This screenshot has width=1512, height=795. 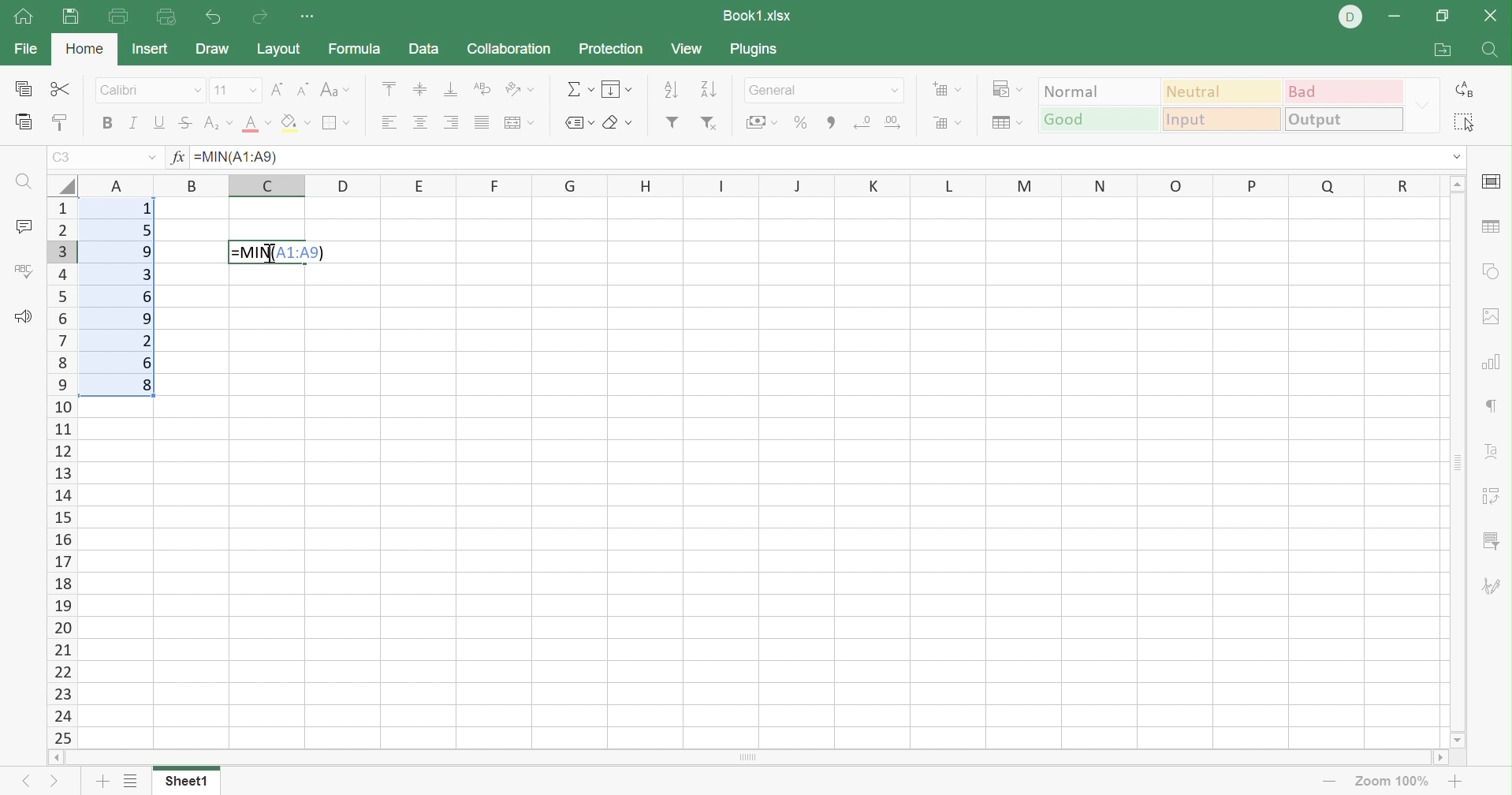 I want to click on Delete cells, so click(x=948, y=123).